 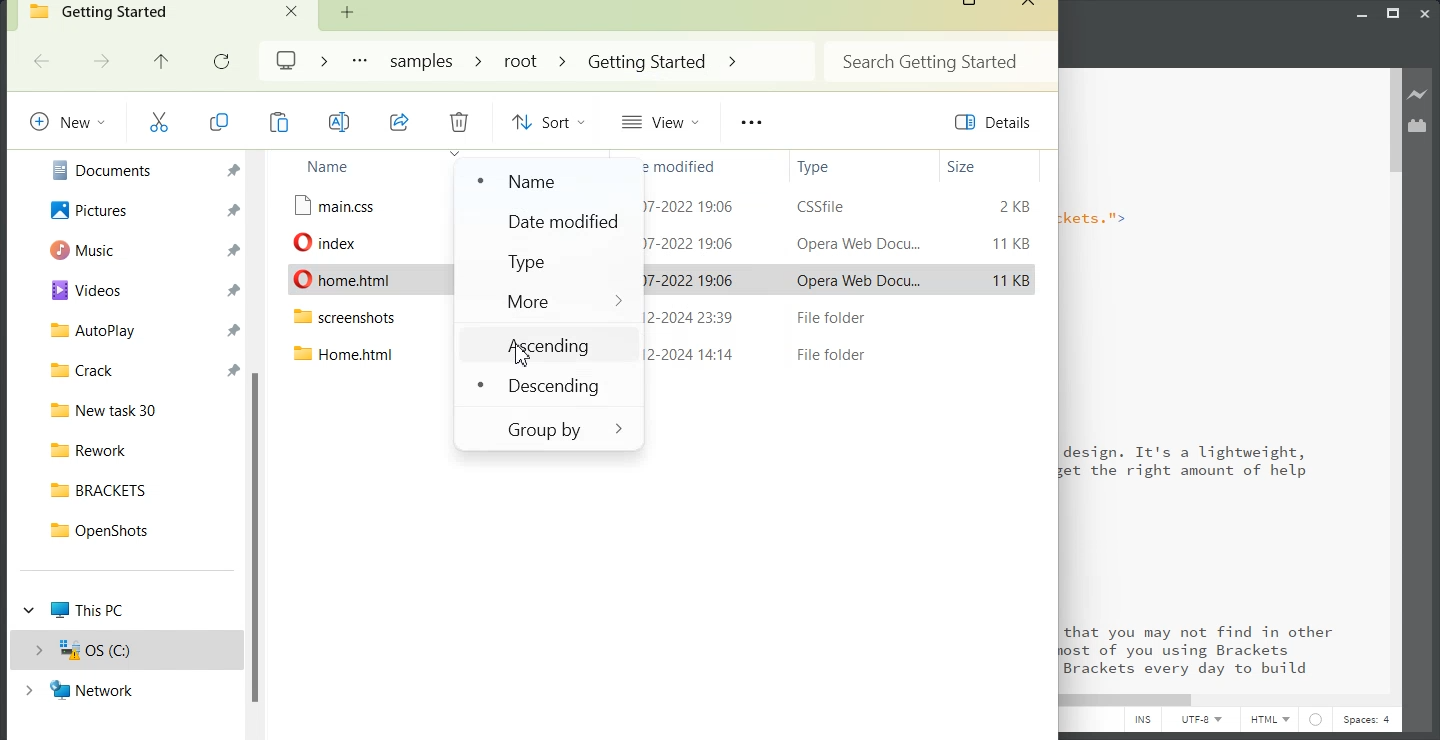 What do you see at coordinates (829, 317) in the screenshot?
I see `File Folder` at bounding box center [829, 317].